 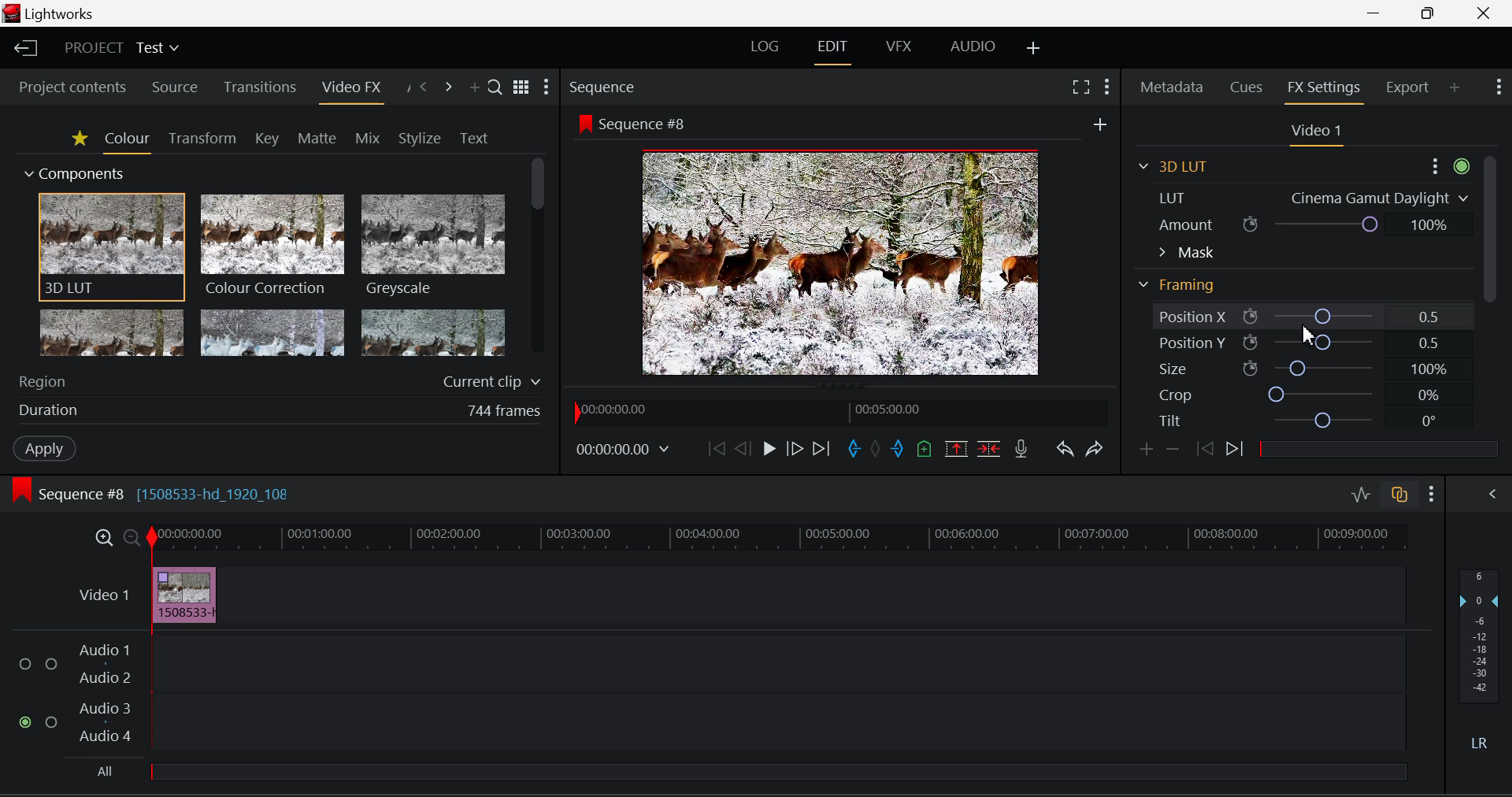 What do you see at coordinates (521, 85) in the screenshot?
I see `Toggle list and title view` at bounding box center [521, 85].